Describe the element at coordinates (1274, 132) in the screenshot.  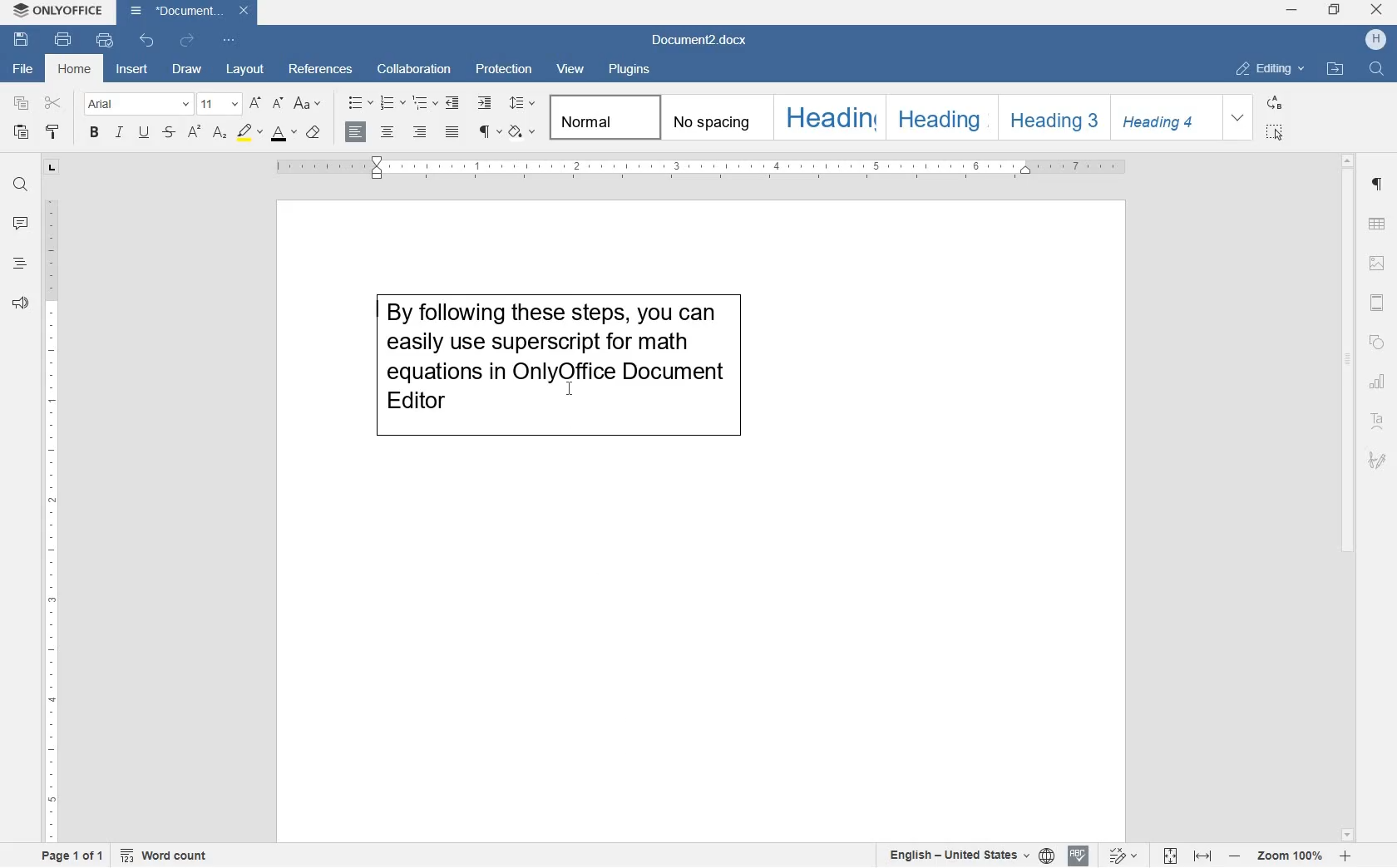
I see `SELECT ALL` at that location.